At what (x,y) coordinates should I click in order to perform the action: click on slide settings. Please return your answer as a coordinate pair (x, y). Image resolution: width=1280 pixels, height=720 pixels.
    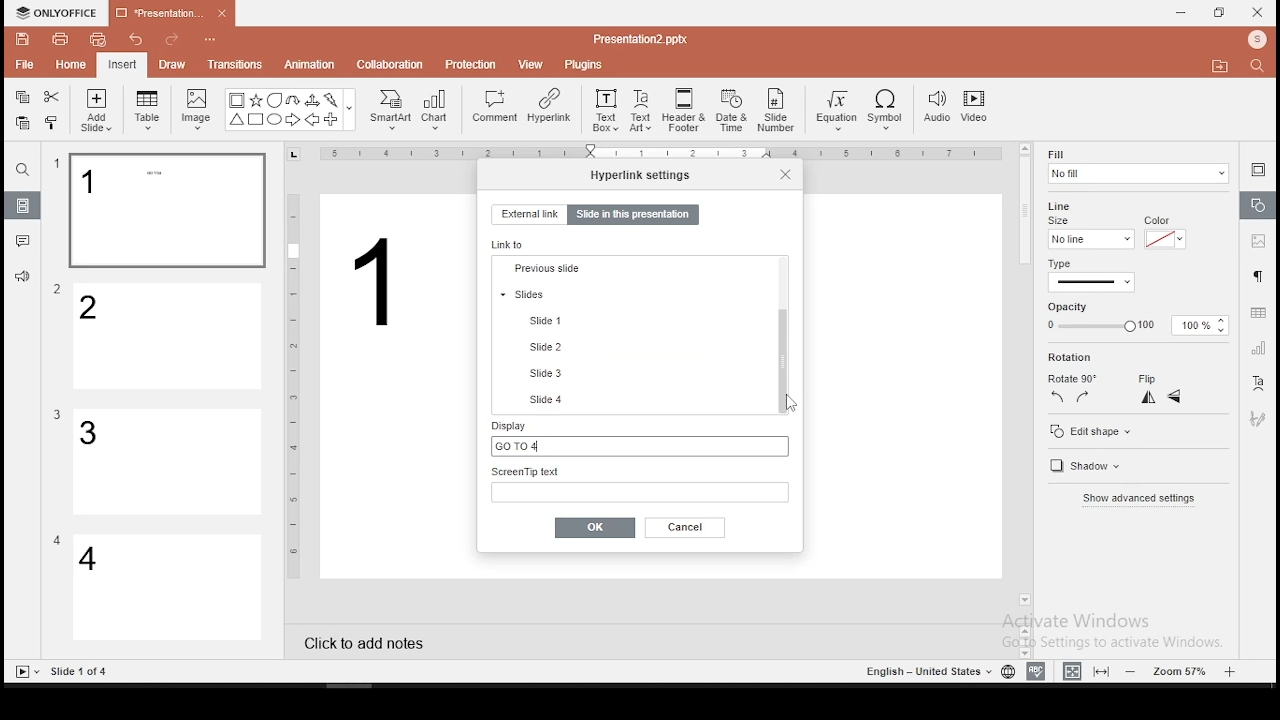
    Looking at the image, I should click on (1258, 169).